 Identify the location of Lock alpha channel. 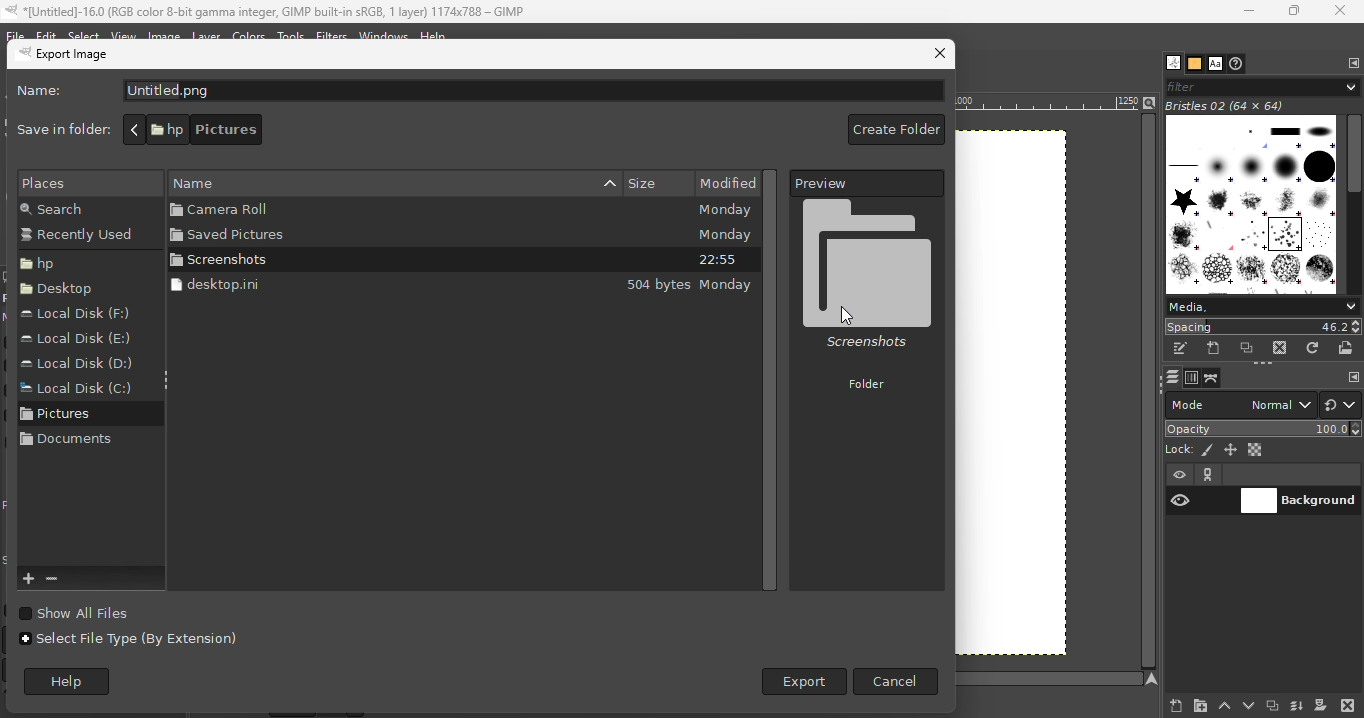
(1257, 450).